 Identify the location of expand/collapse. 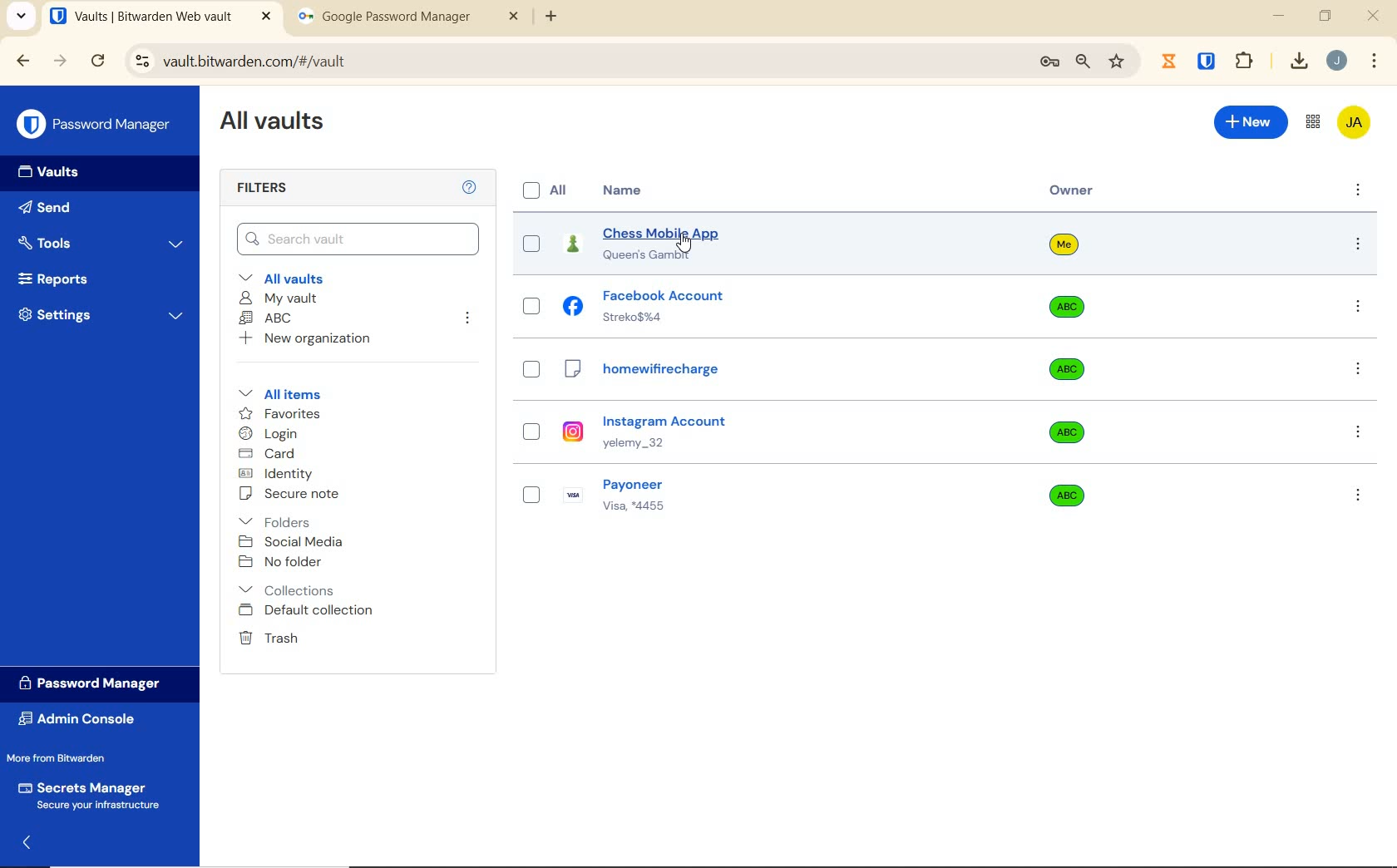
(32, 844).